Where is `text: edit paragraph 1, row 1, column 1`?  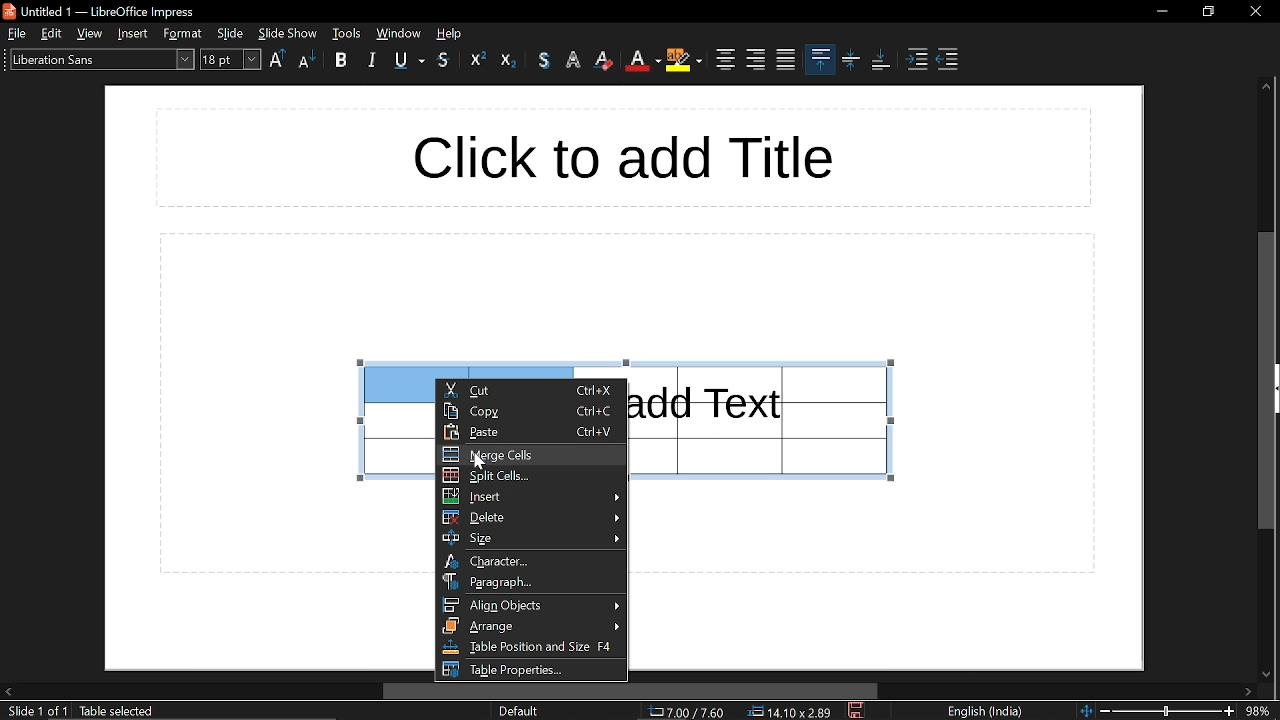 text: edit paragraph 1, row 1, column 1 is located at coordinates (186, 712).